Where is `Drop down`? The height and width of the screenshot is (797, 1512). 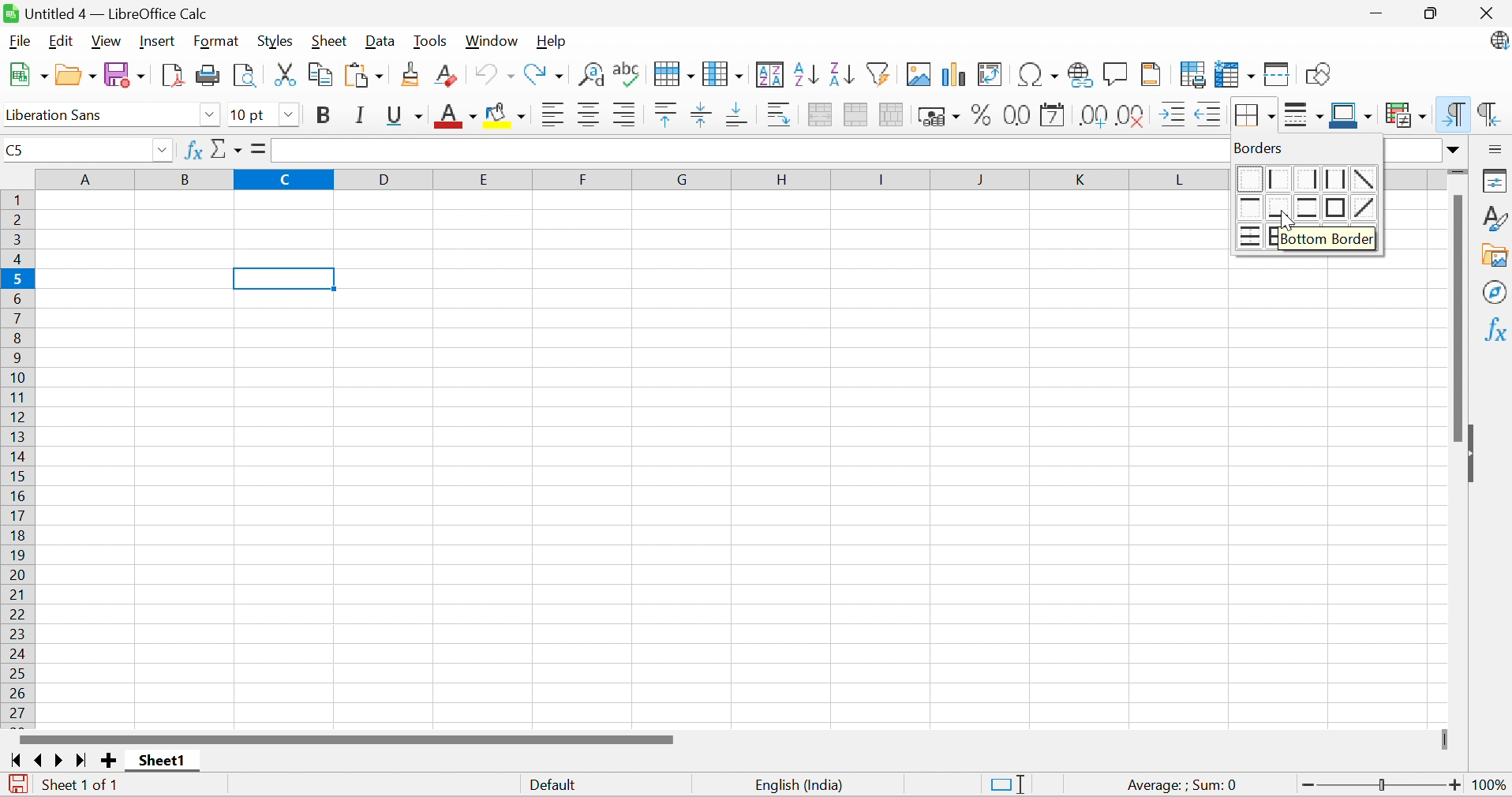 Drop down is located at coordinates (210, 115).